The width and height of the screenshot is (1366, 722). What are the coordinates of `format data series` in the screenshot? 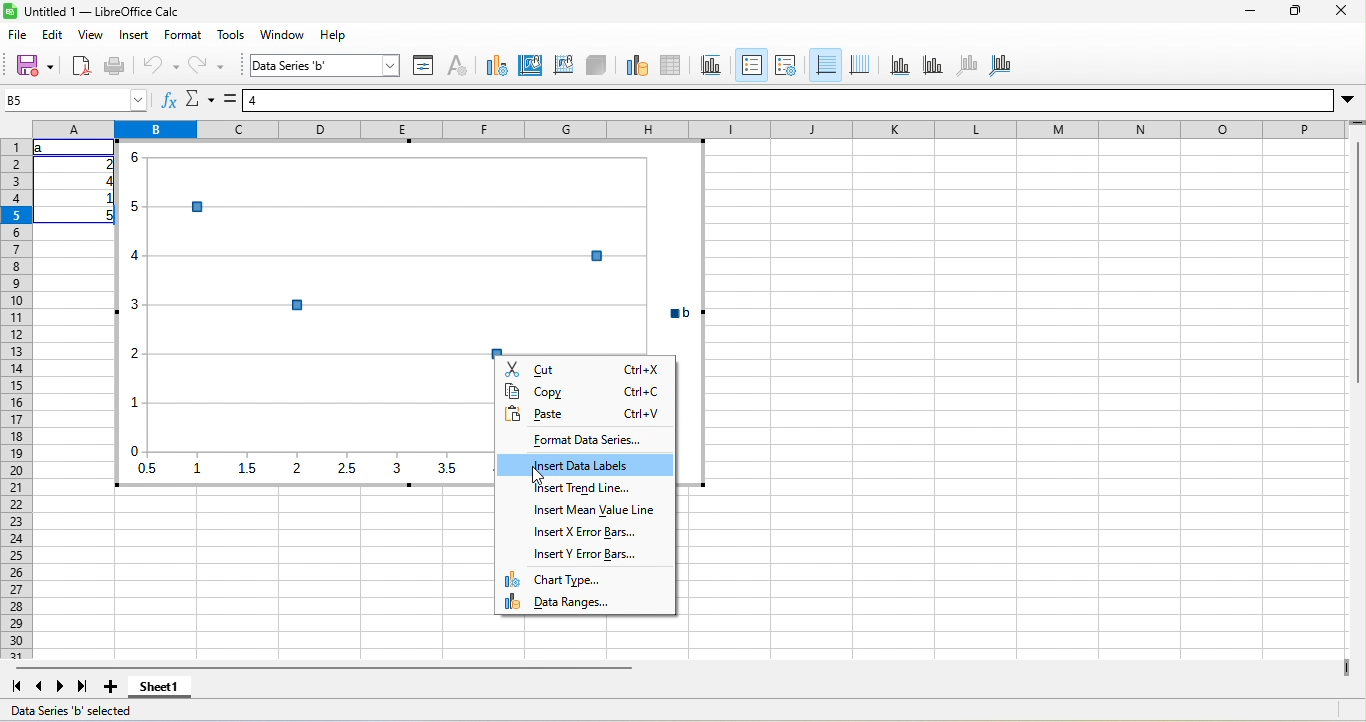 It's located at (584, 439).